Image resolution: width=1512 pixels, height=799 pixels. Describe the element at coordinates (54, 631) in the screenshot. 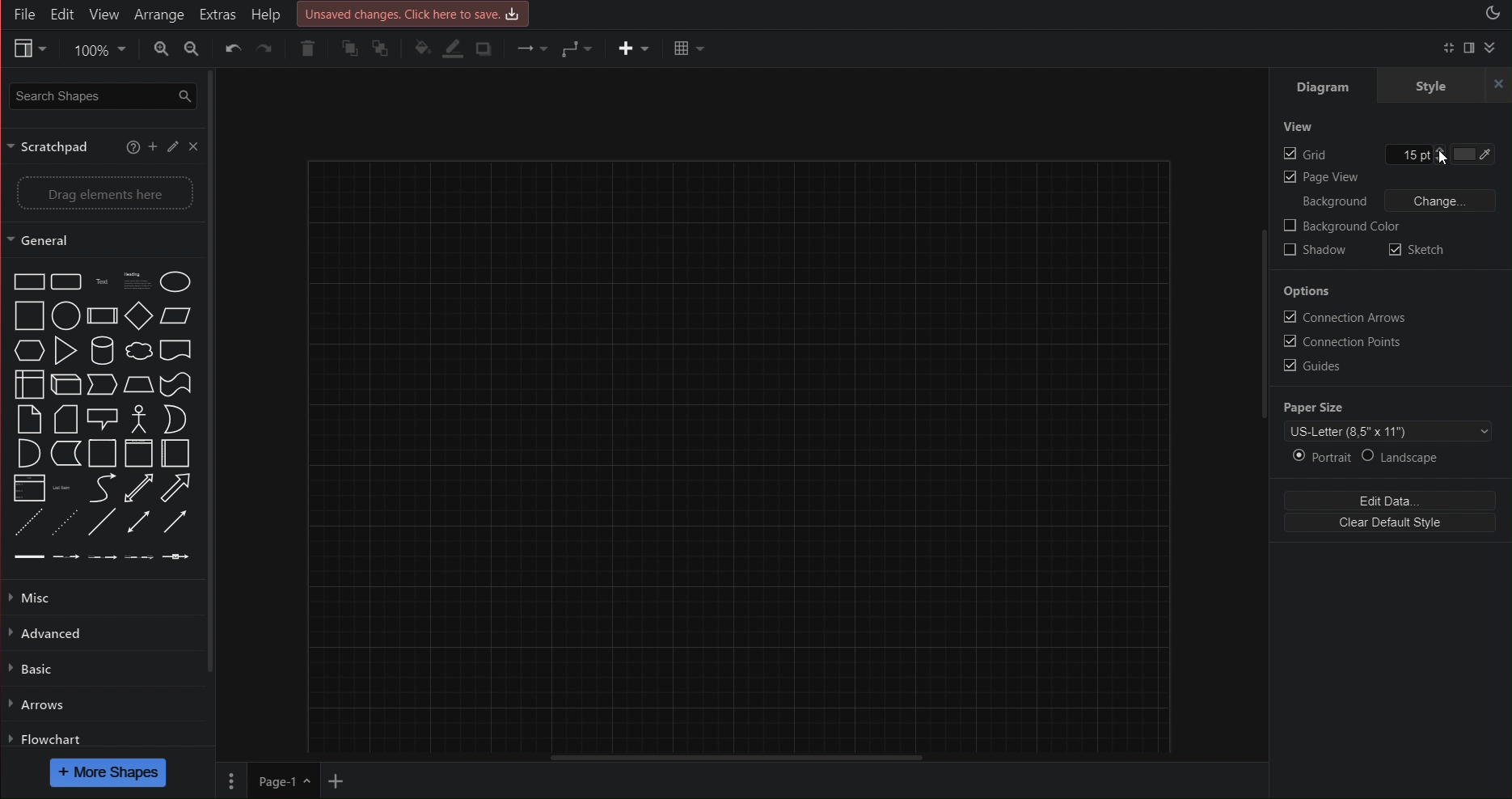

I see `Advanced` at that location.